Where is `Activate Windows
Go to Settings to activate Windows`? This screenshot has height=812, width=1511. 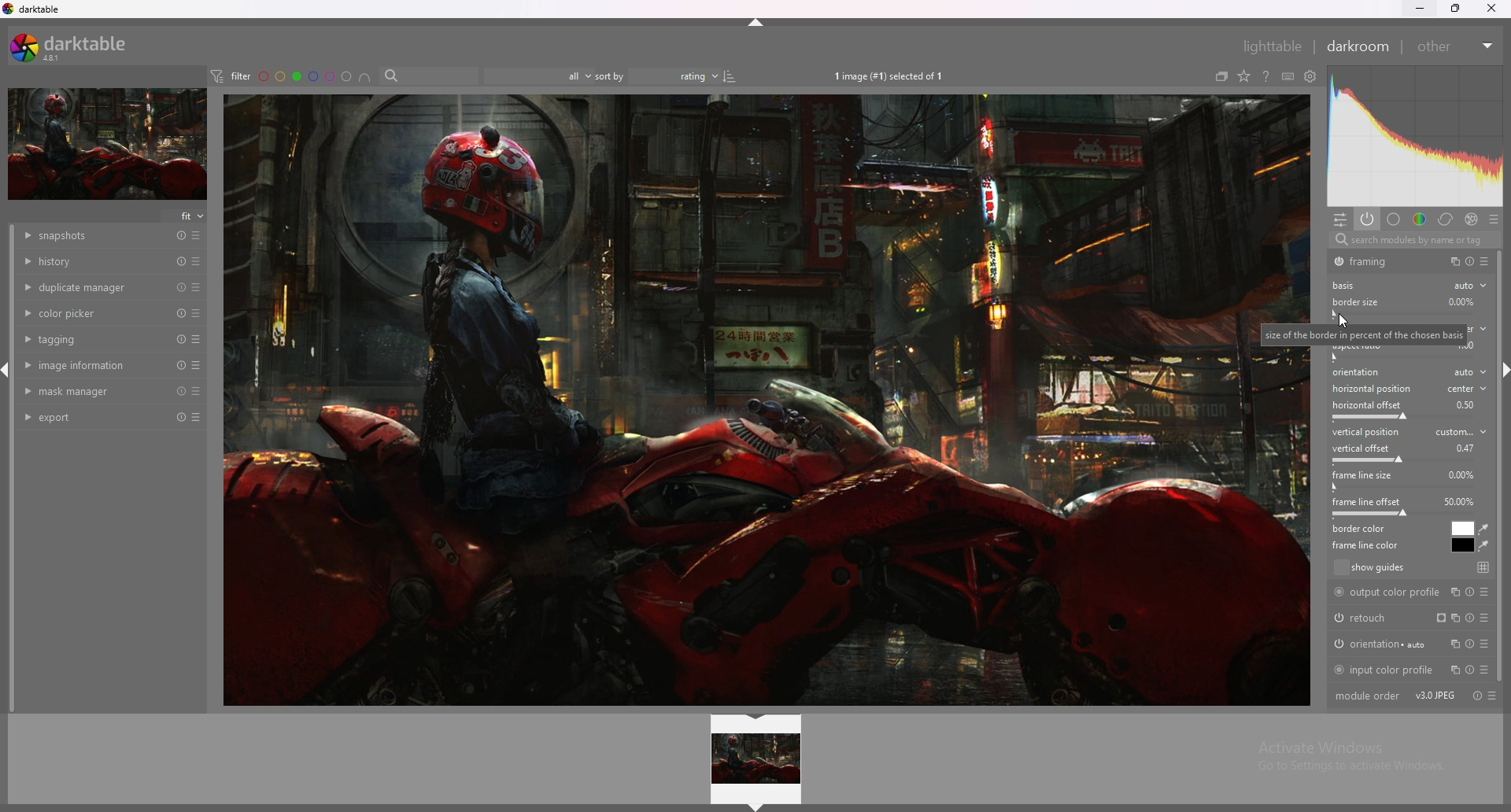
Activate Windows
Go to Settings to activate Windows is located at coordinates (1347, 760).